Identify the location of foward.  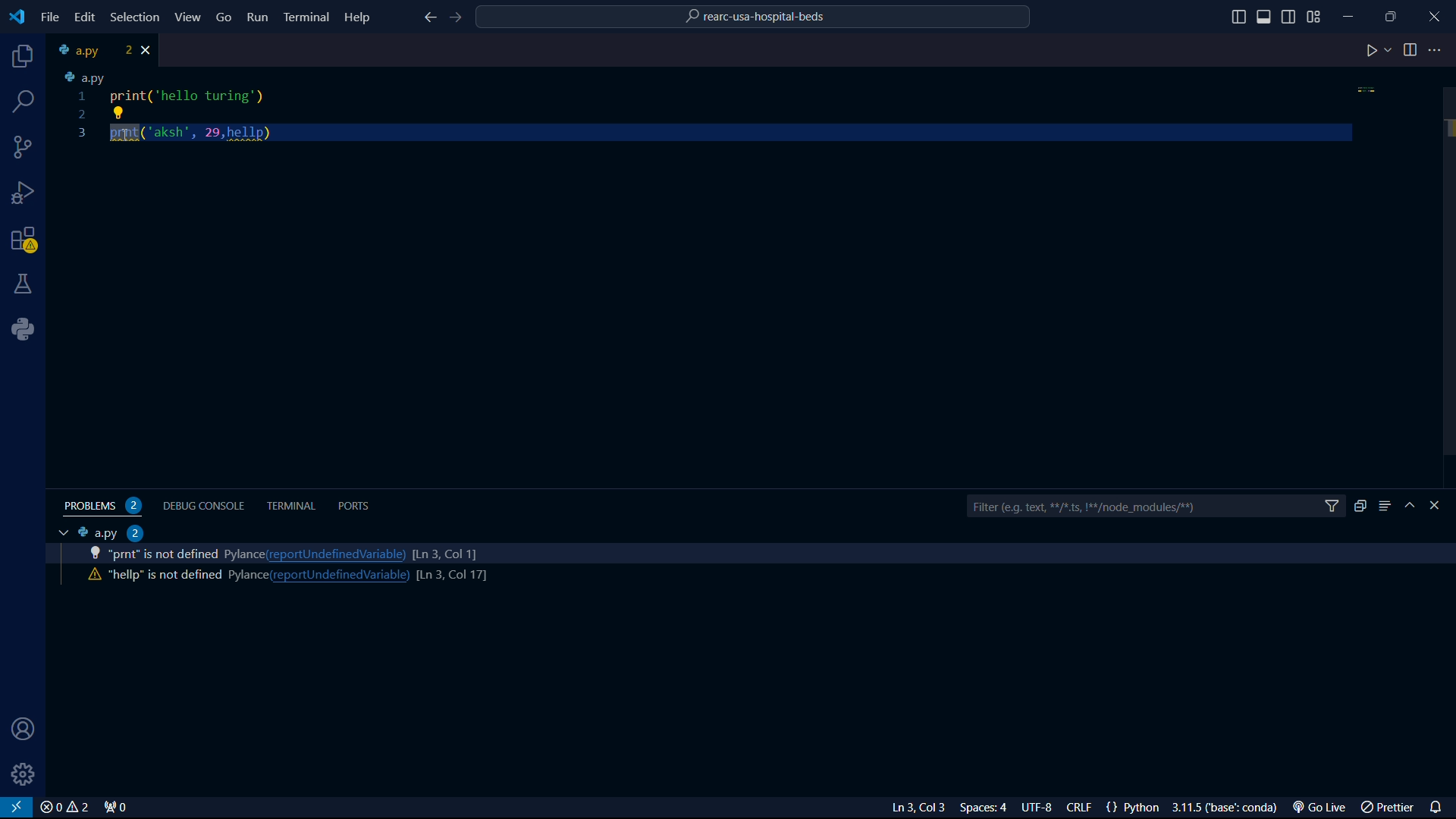
(459, 18).